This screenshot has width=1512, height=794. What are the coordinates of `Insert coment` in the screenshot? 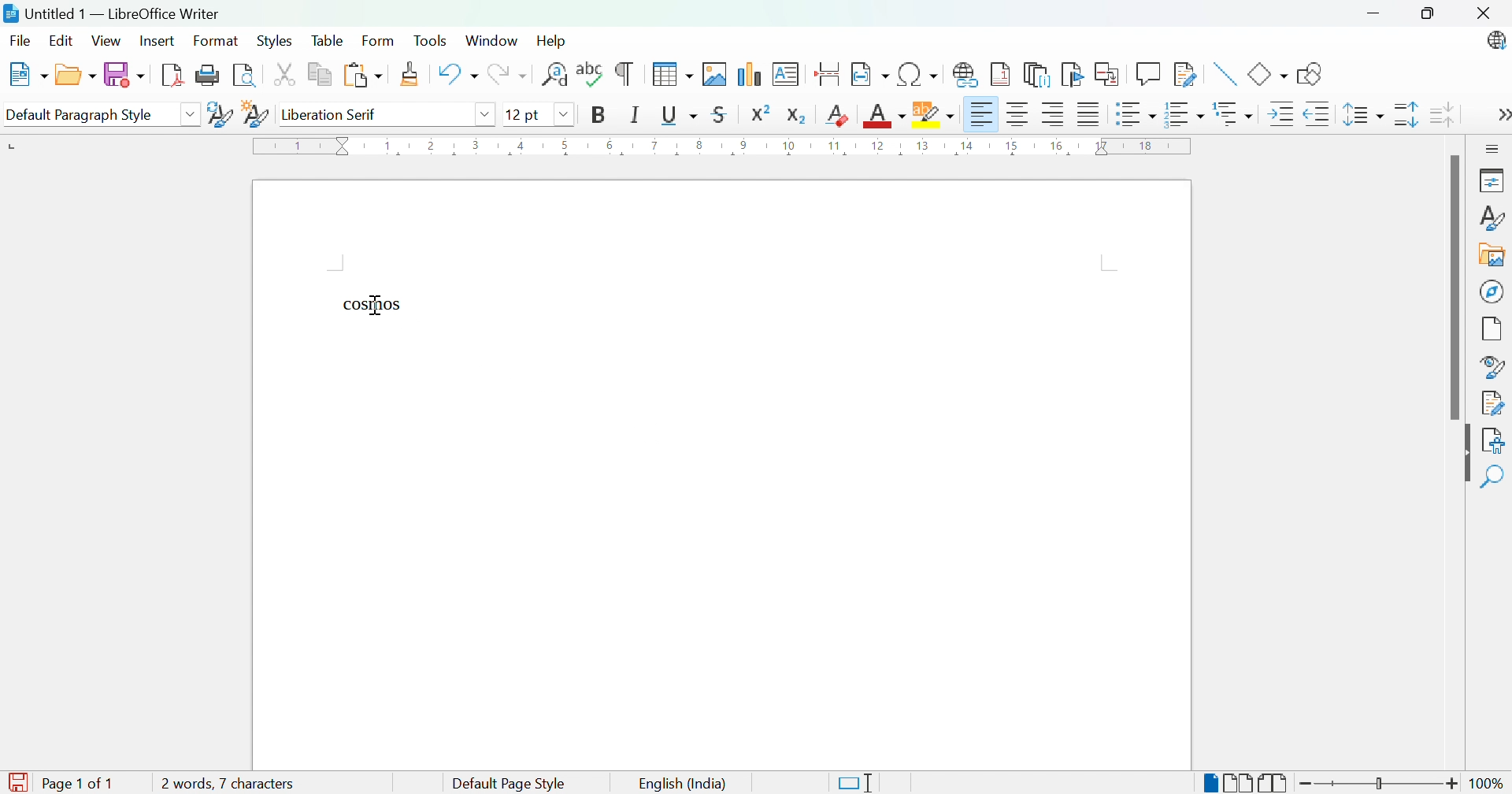 It's located at (1149, 73).